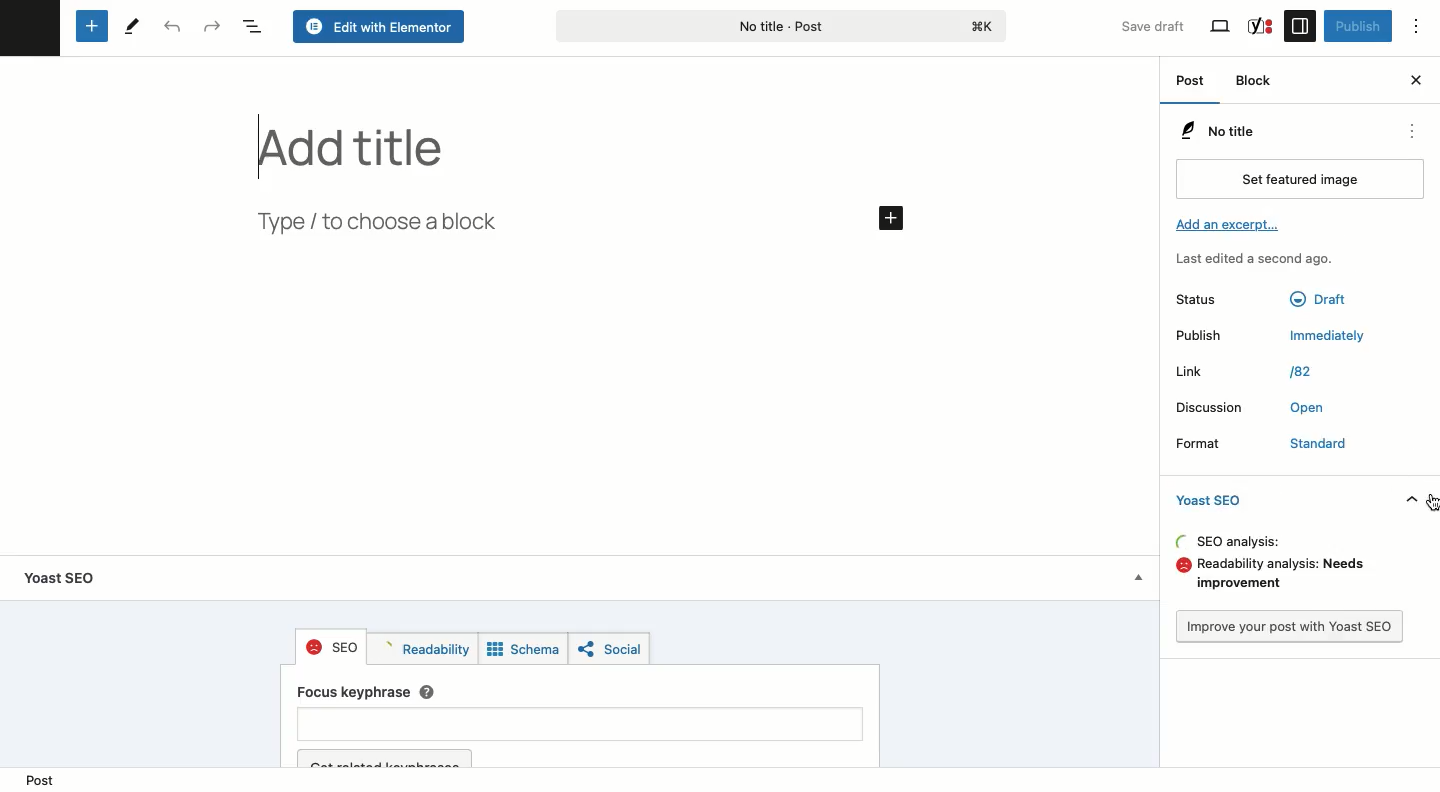  What do you see at coordinates (1415, 78) in the screenshot?
I see `Close` at bounding box center [1415, 78].